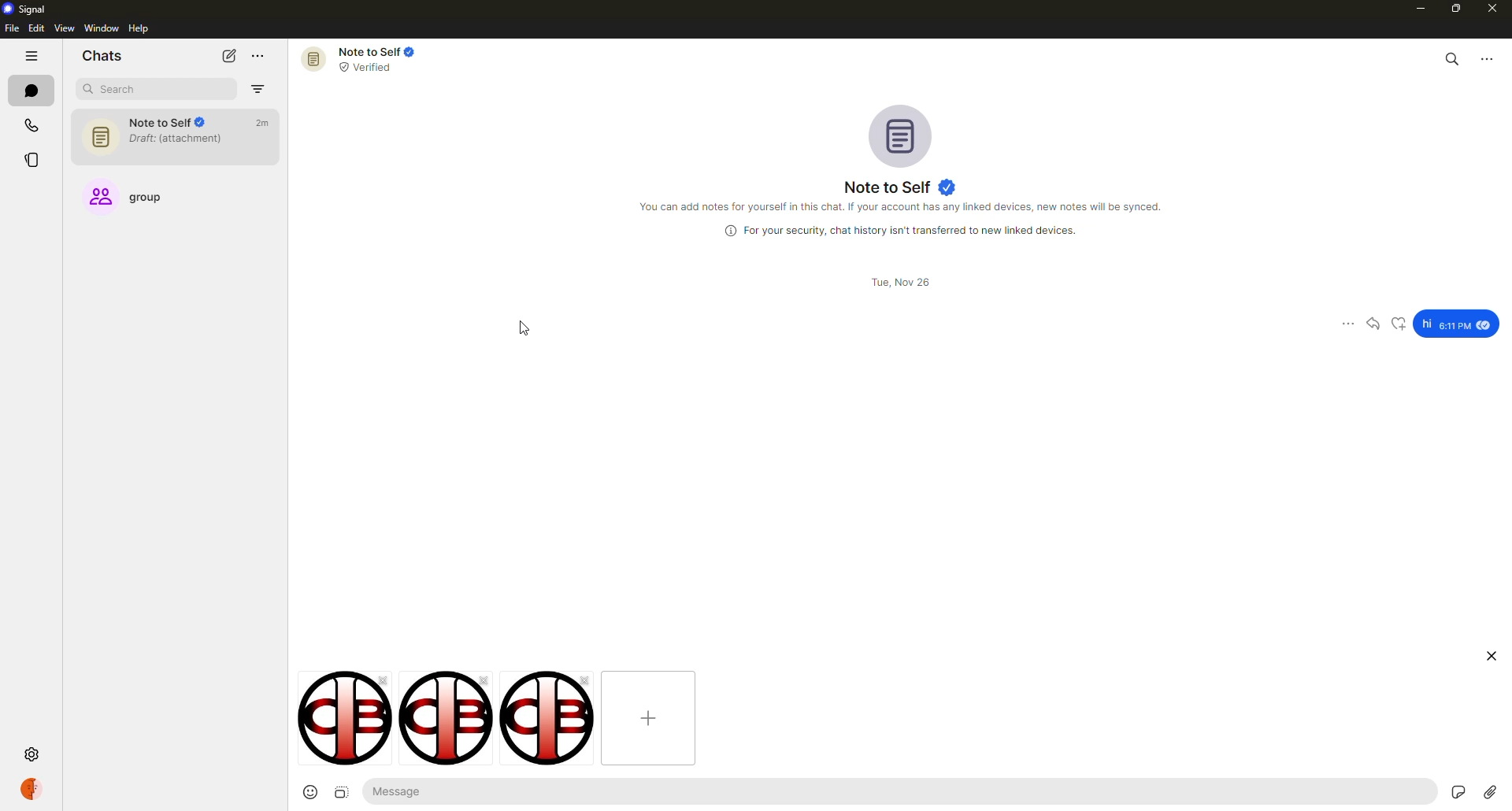 This screenshot has height=811, width=1512. I want to click on info, so click(906, 231).